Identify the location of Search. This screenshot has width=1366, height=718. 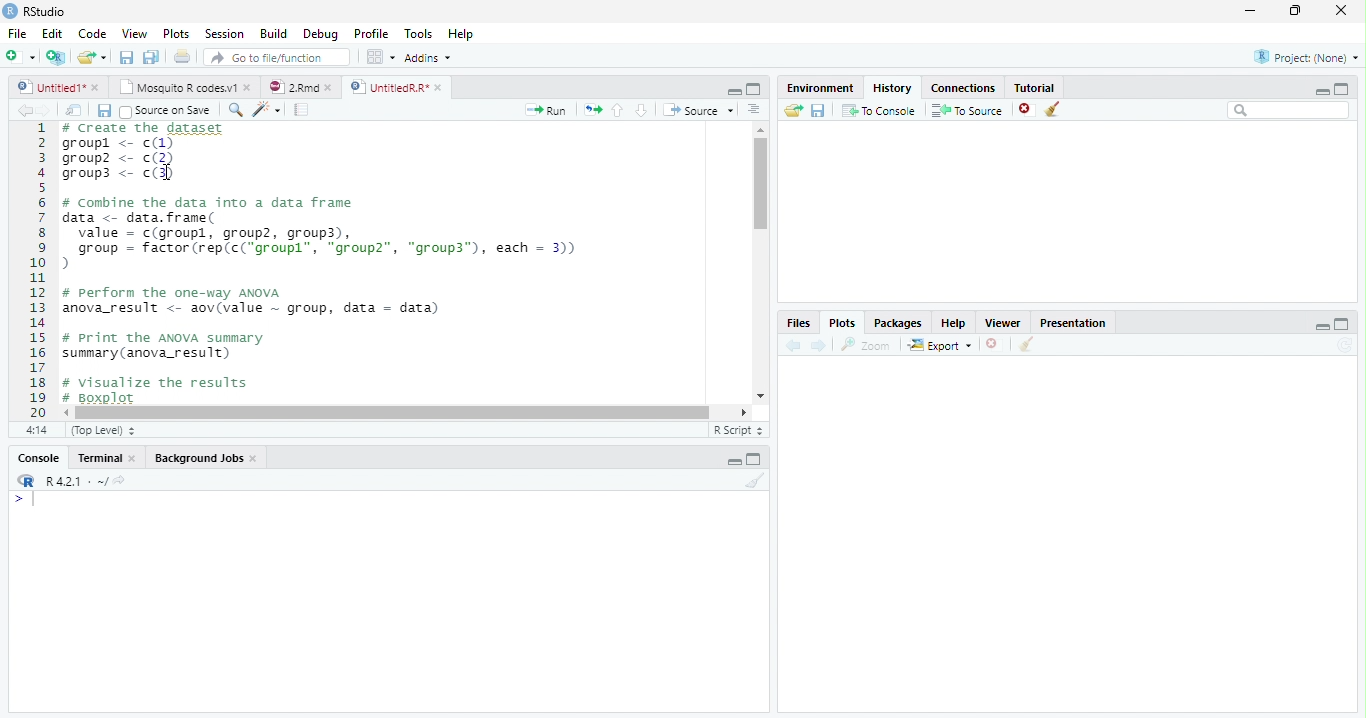
(1289, 111).